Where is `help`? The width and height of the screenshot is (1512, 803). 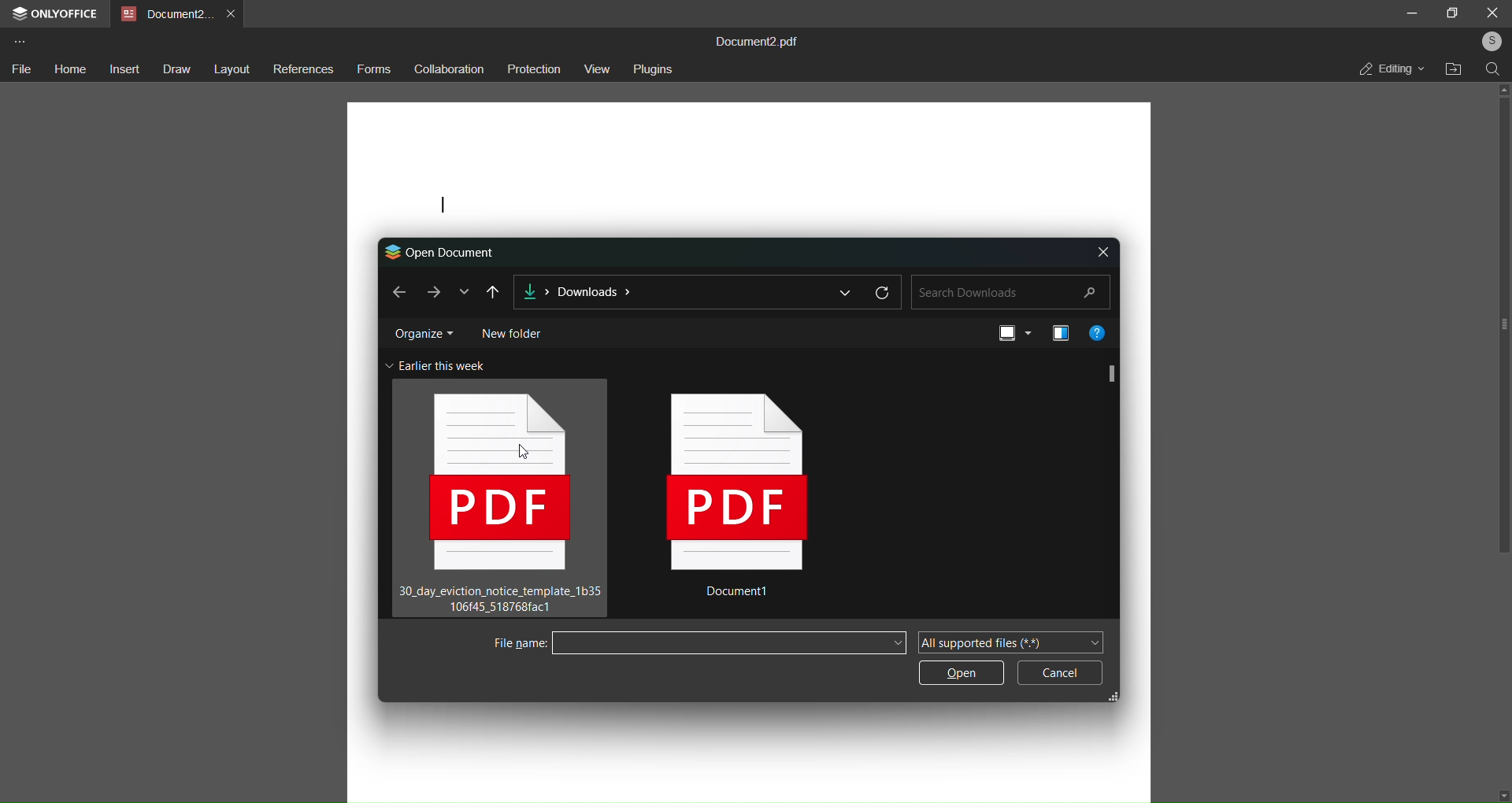 help is located at coordinates (1099, 331).